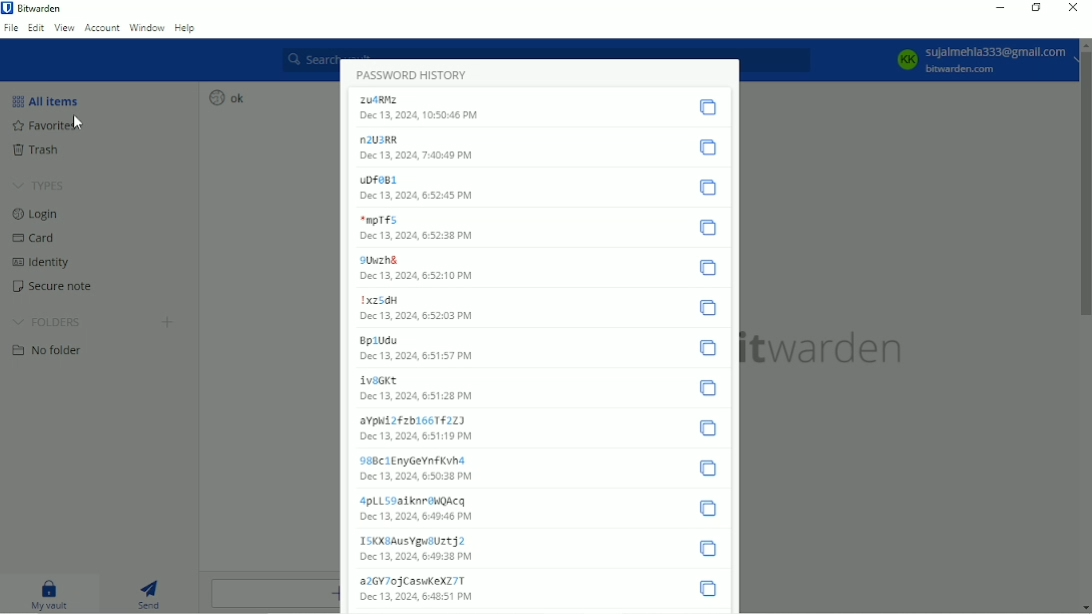  I want to click on zu4RMz, so click(382, 99).